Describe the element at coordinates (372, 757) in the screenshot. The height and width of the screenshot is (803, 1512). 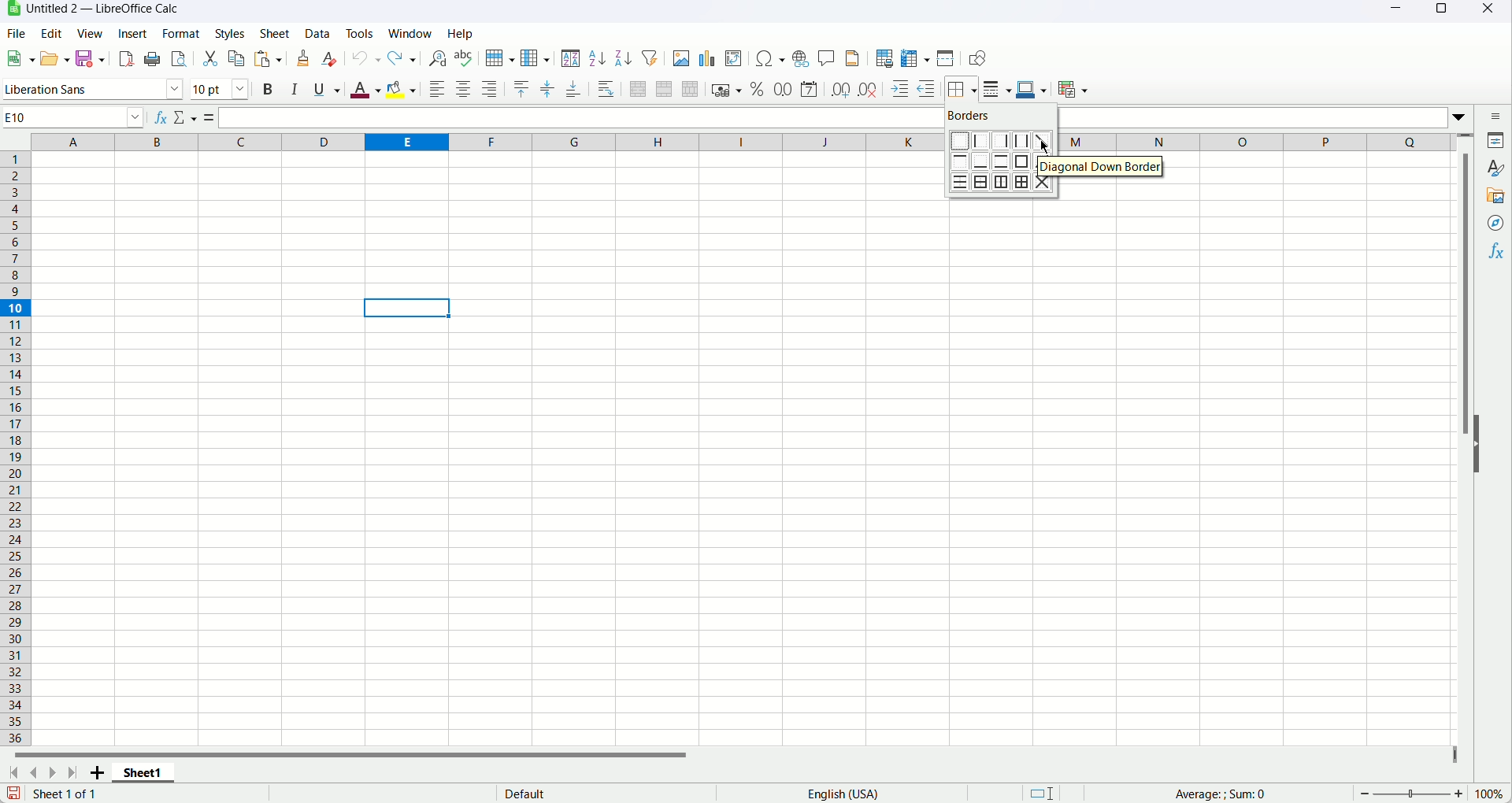
I see `Horizontal scroll bar` at that location.